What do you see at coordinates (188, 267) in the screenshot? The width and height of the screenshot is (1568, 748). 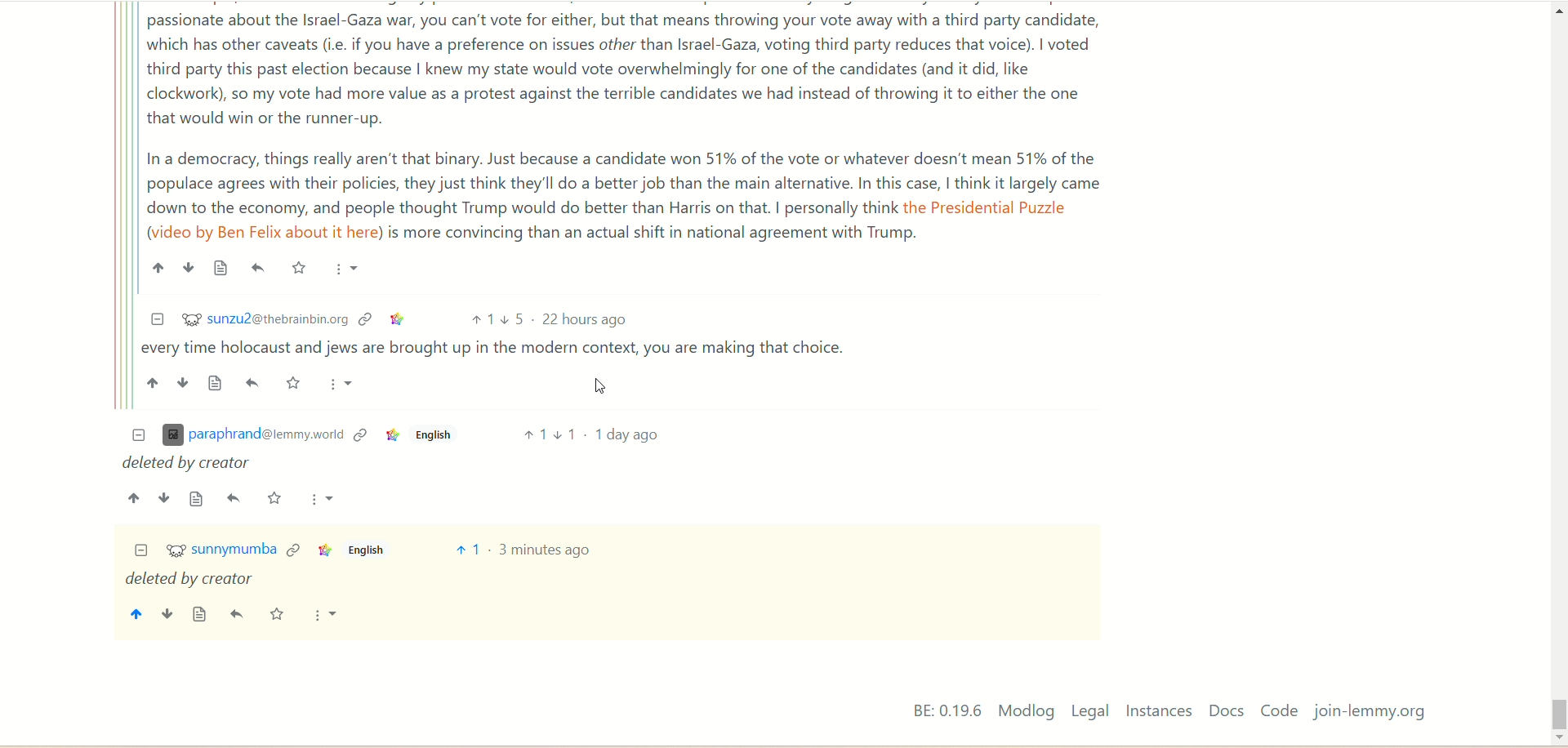 I see `Downvote` at bounding box center [188, 267].